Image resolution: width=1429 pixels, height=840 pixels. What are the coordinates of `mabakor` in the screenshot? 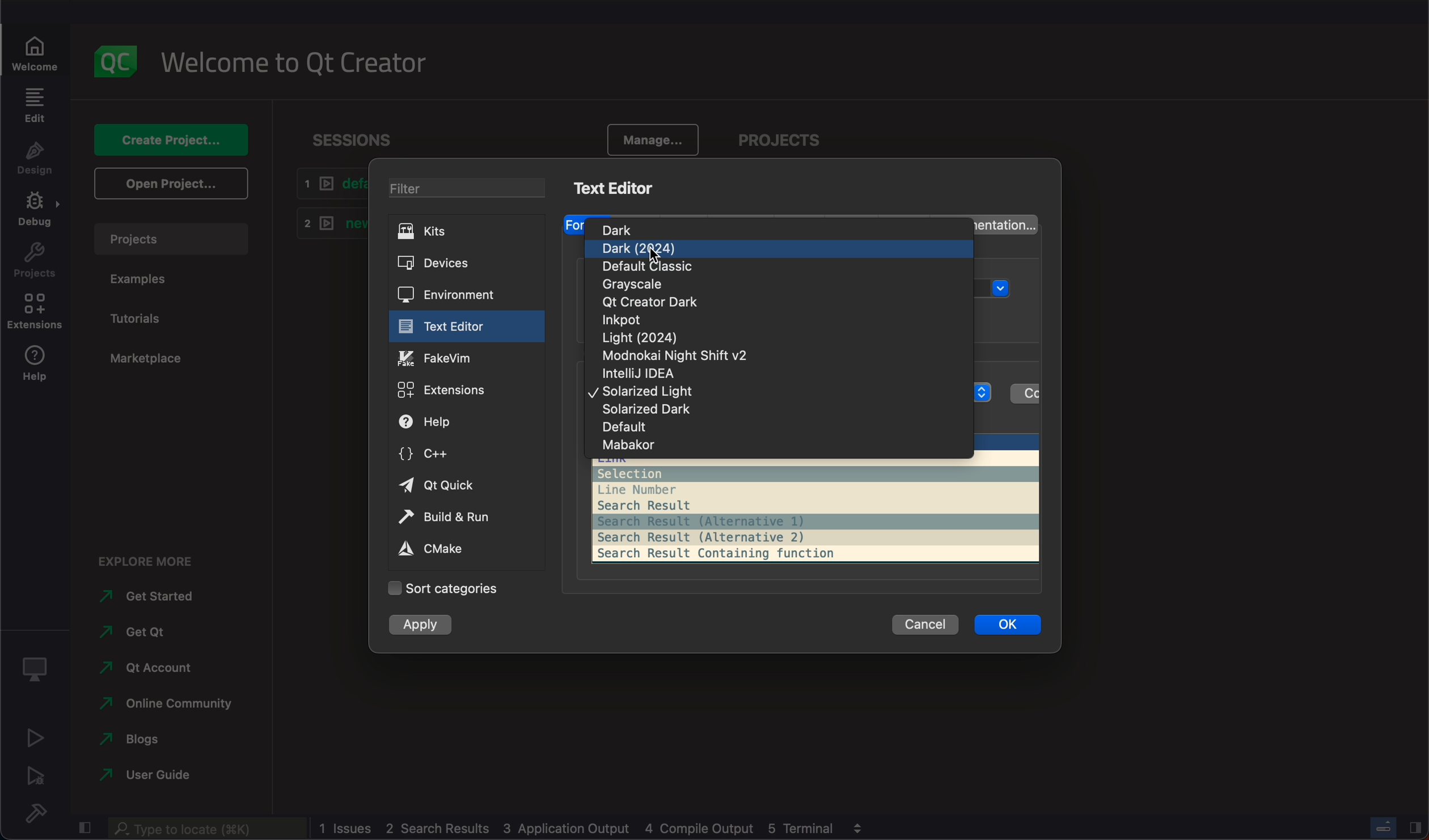 It's located at (645, 445).